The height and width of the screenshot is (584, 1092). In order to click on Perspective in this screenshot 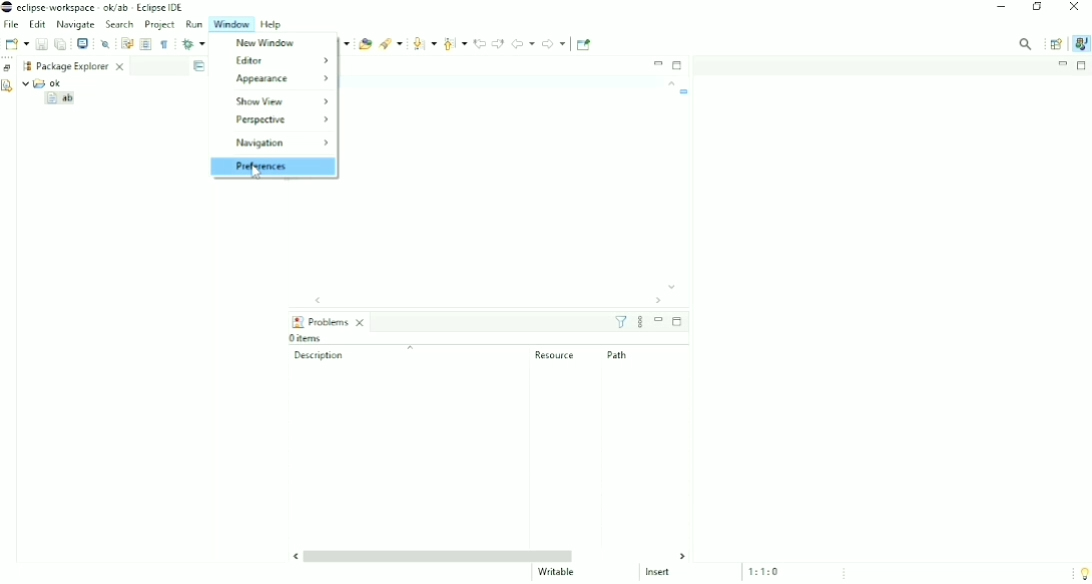, I will do `click(281, 120)`.